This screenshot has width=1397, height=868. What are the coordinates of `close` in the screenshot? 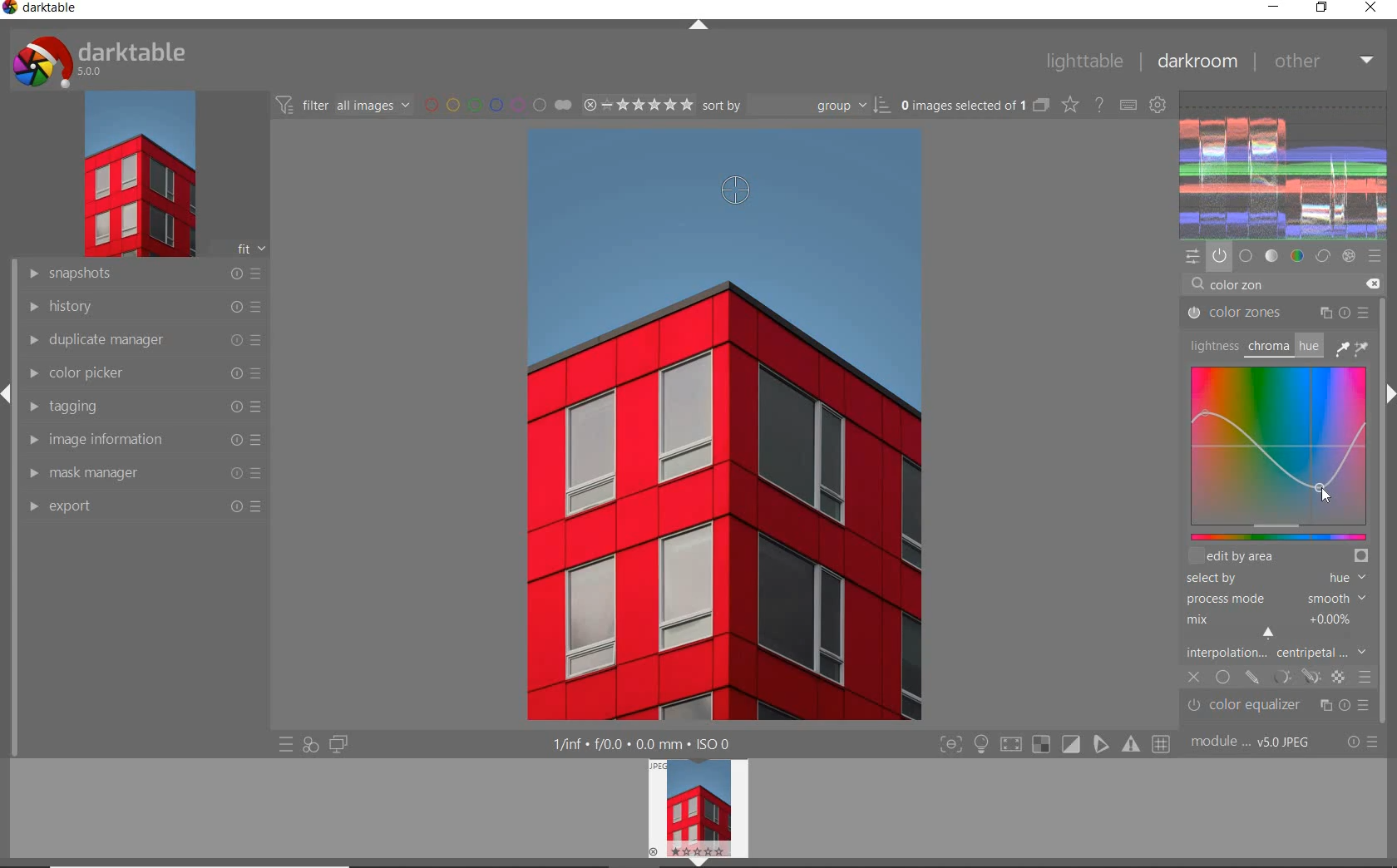 It's located at (1371, 8).